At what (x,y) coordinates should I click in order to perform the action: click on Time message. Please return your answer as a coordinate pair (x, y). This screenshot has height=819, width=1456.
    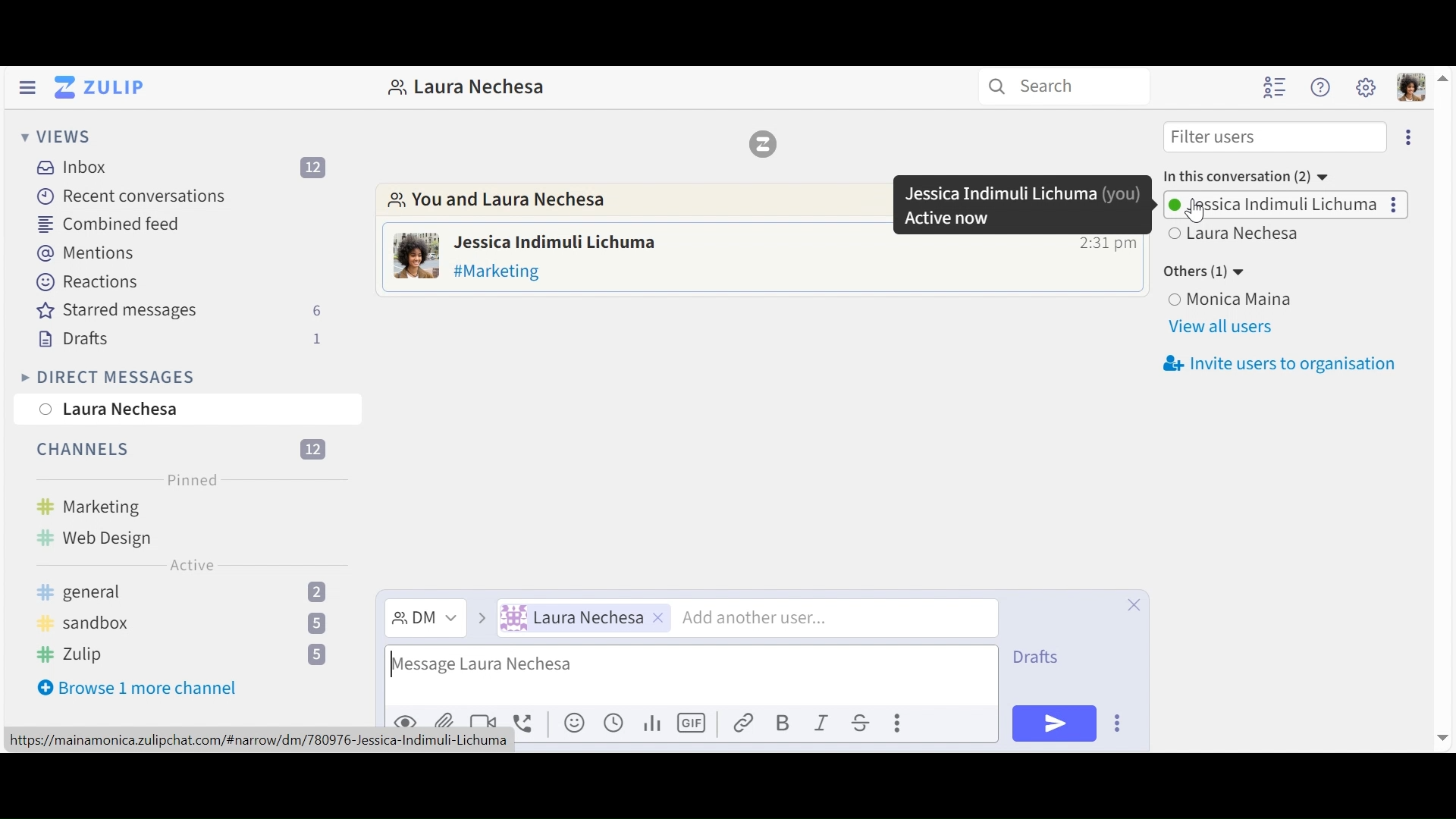
    Looking at the image, I should click on (1108, 245).